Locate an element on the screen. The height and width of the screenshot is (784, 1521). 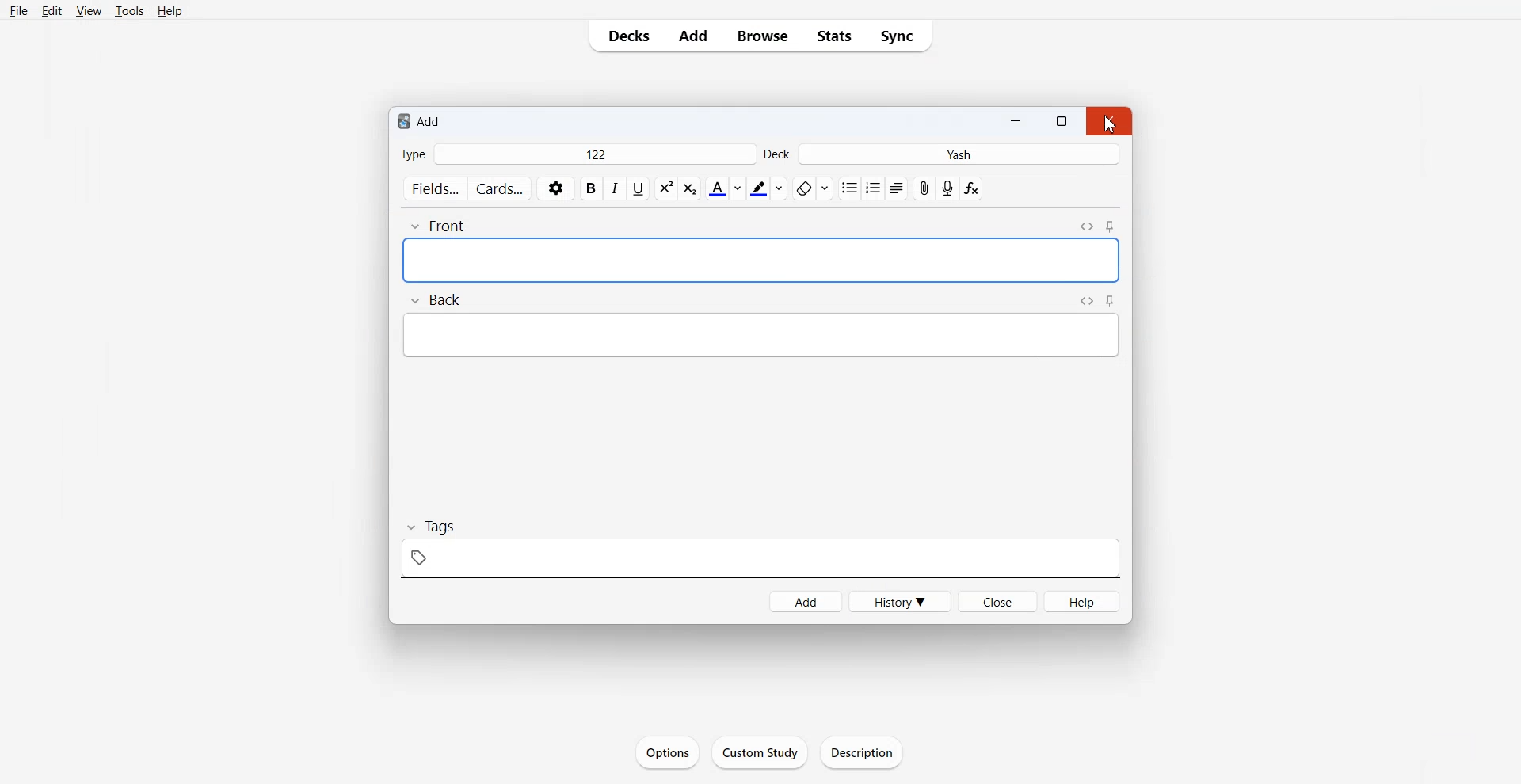
Deck is located at coordinates (776, 154).